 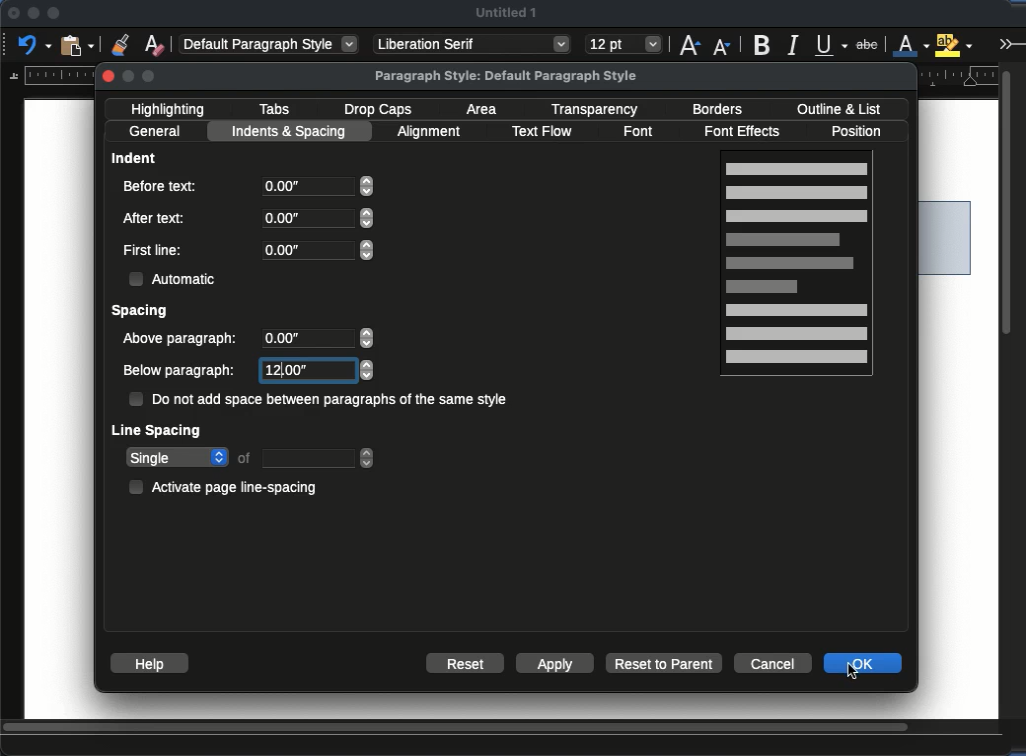 What do you see at coordinates (911, 44) in the screenshot?
I see `line color` at bounding box center [911, 44].